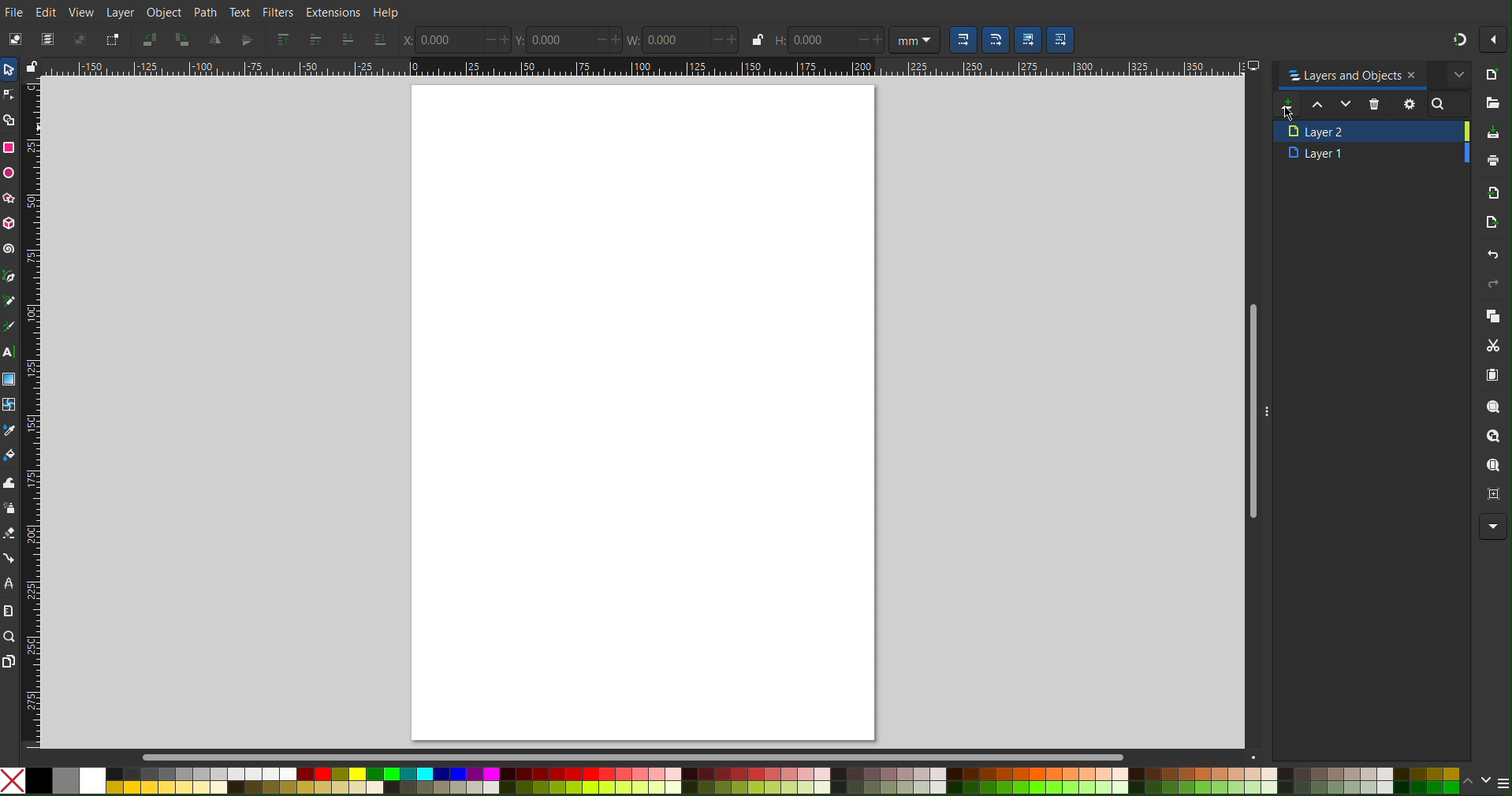  Describe the element at coordinates (151, 39) in the screenshot. I see `Rotate CCW` at that location.